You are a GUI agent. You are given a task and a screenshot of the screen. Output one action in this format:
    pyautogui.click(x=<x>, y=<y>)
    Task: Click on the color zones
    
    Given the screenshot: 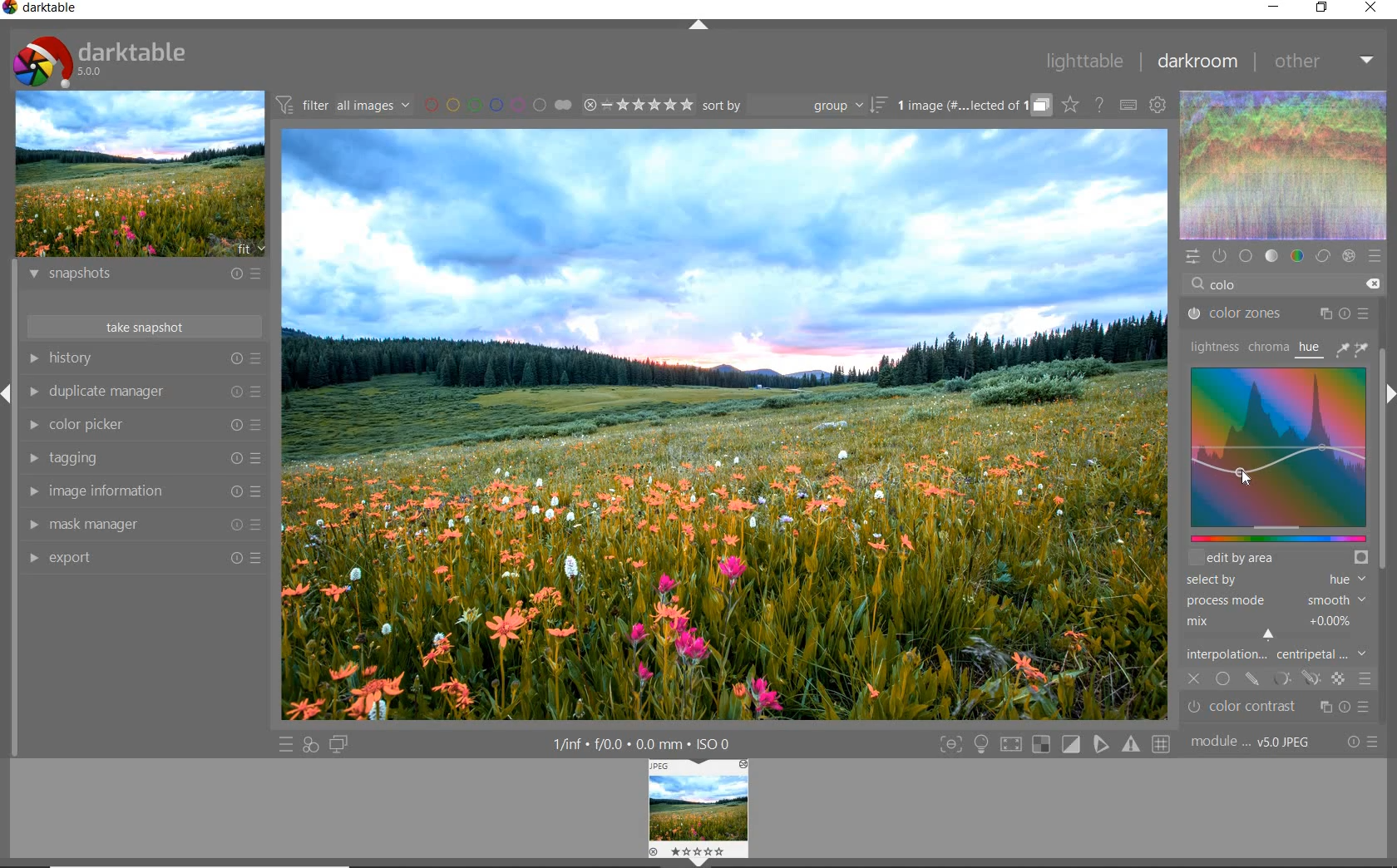 What is the action you would take?
    pyautogui.click(x=1279, y=316)
    